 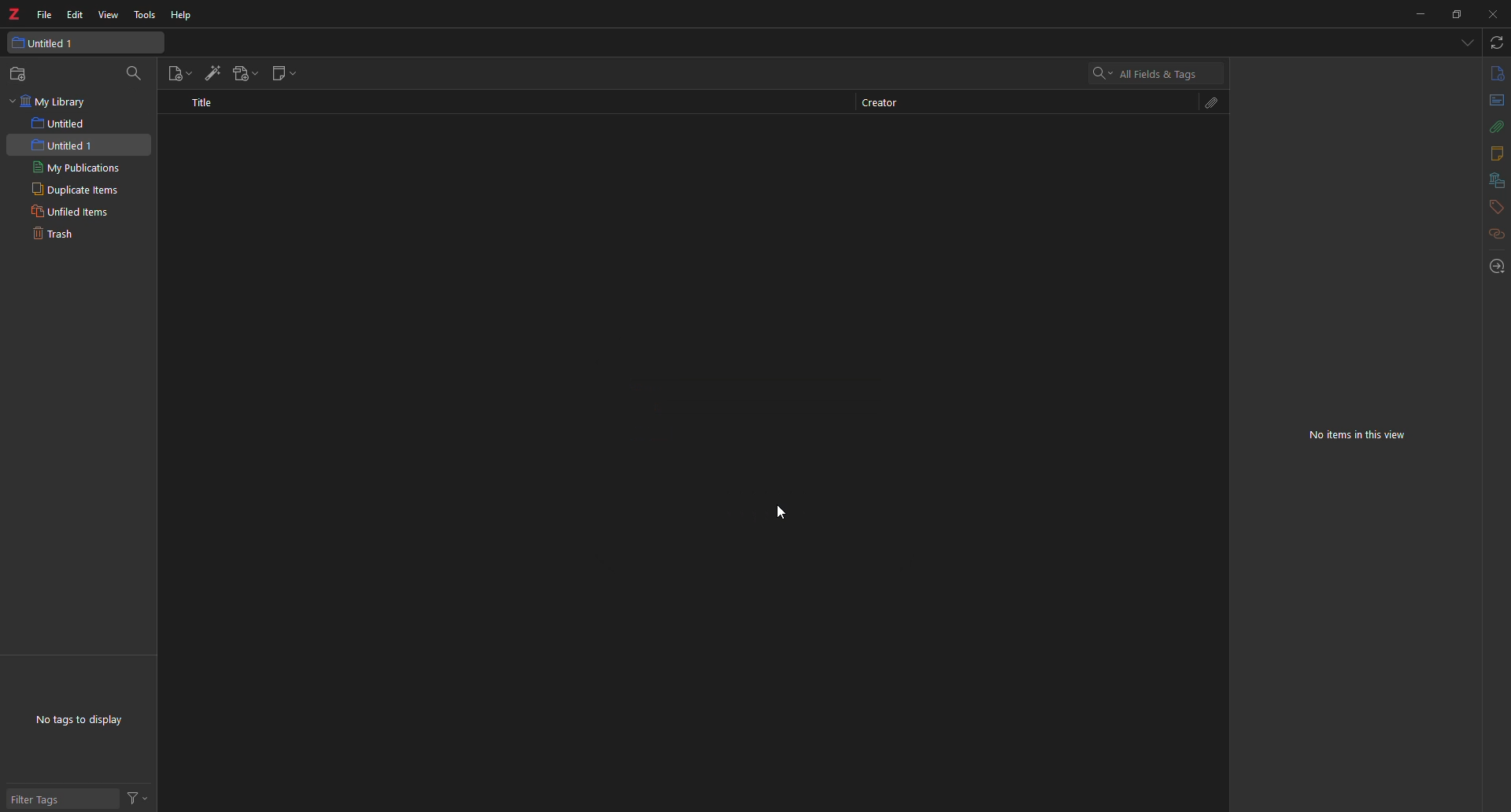 I want to click on search all fields & tags, so click(x=1145, y=74).